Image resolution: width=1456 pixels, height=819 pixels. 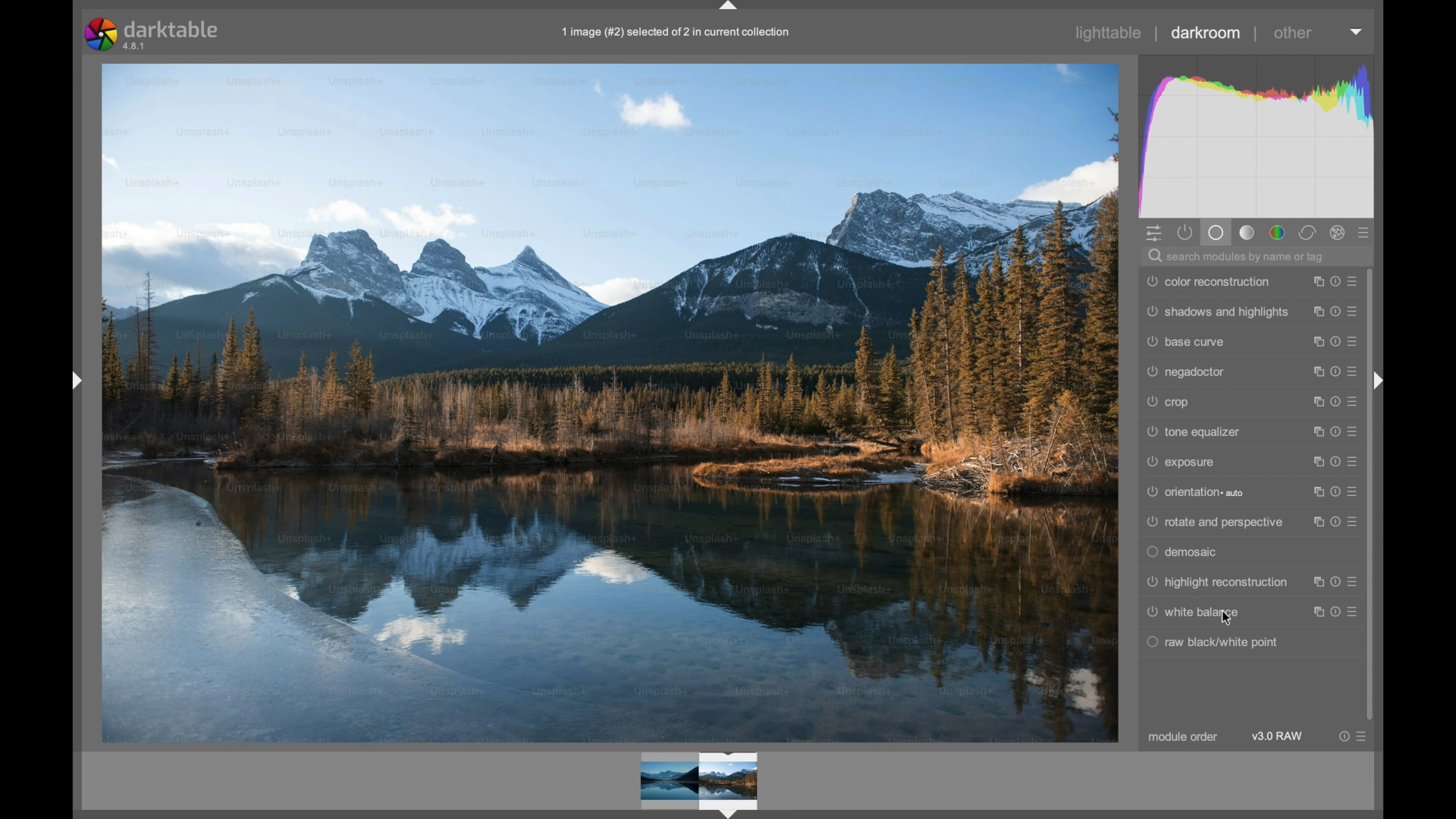 I want to click on base, so click(x=1216, y=232).